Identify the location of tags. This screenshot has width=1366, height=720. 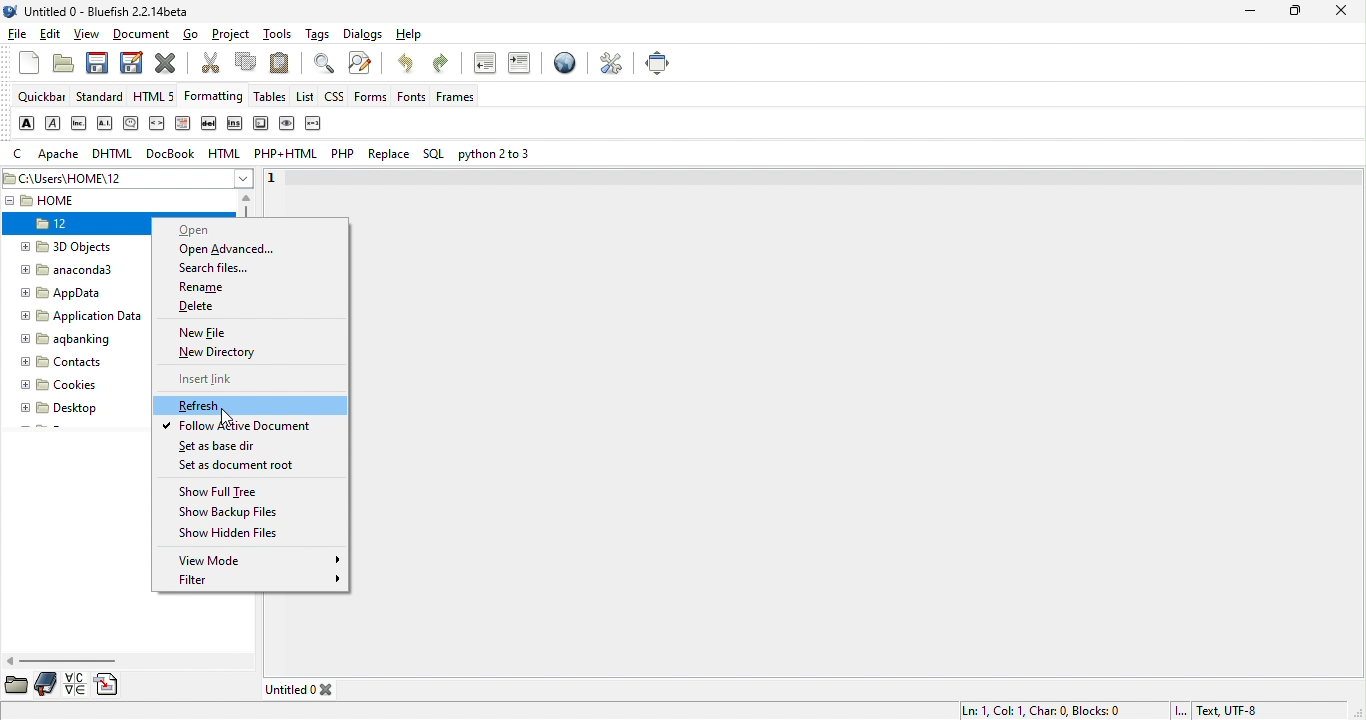
(317, 33).